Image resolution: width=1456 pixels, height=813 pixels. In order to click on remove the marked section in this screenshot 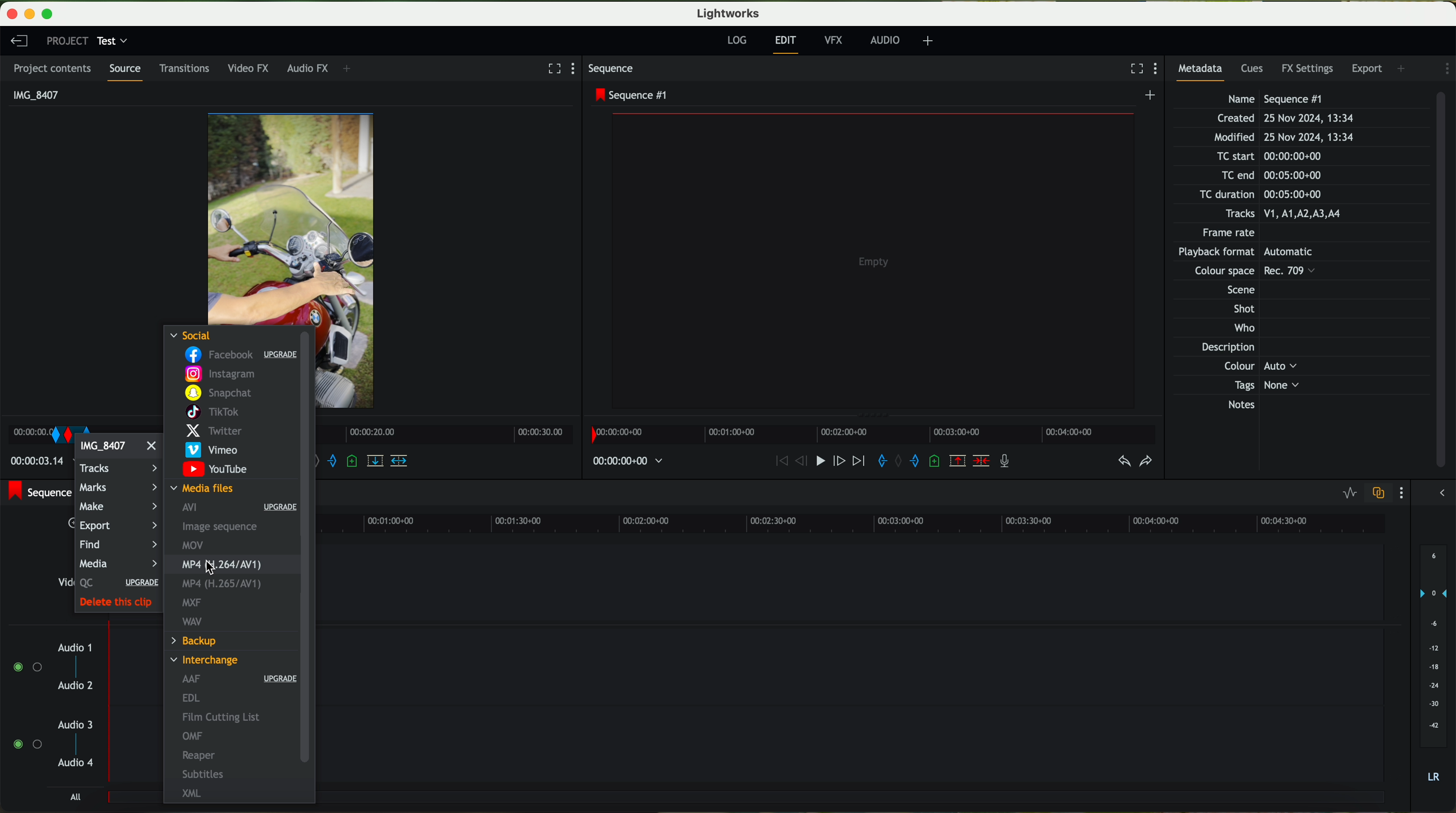, I will do `click(959, 462)`.